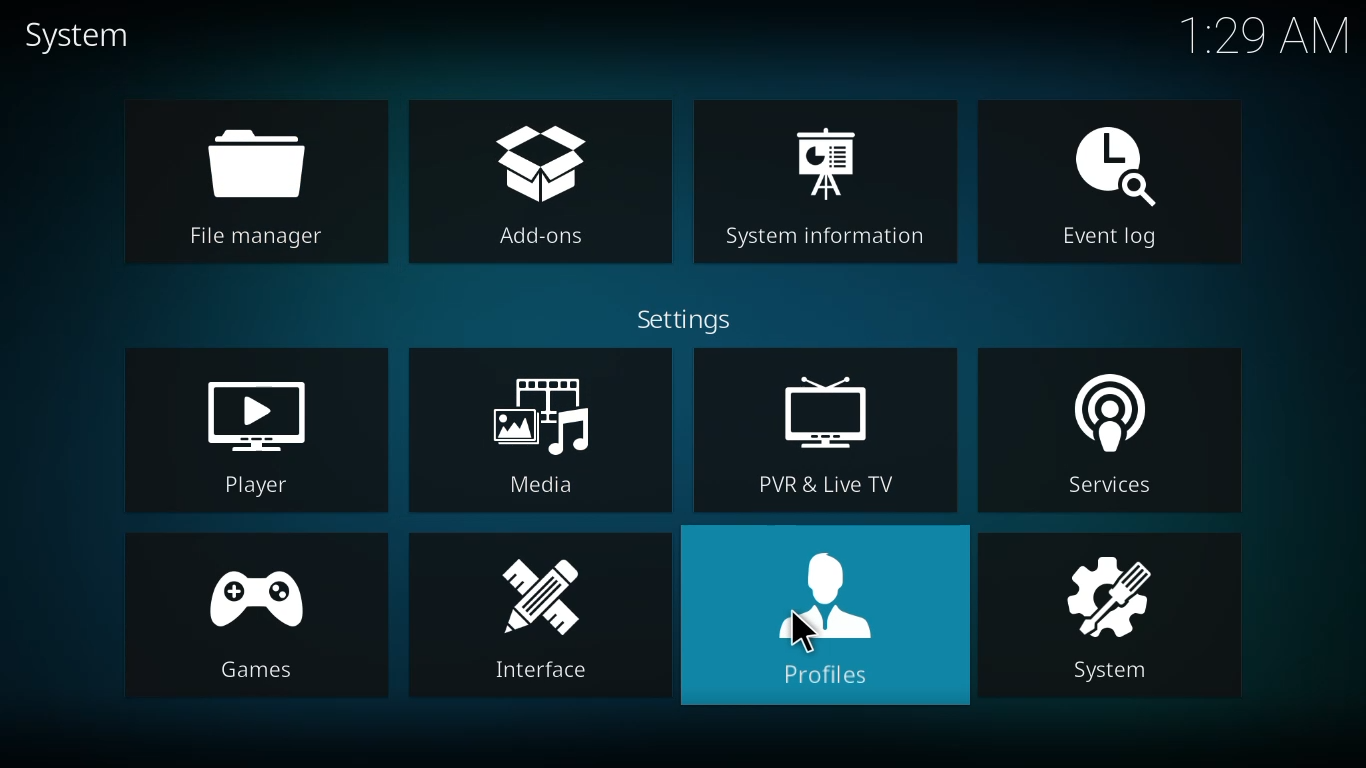 The height and width of the screenshot is (768, 1366). What do you see at coordinates (828, 431) in the screenshot?
I see `pvr & live tv` at bounding box center [828, 431].